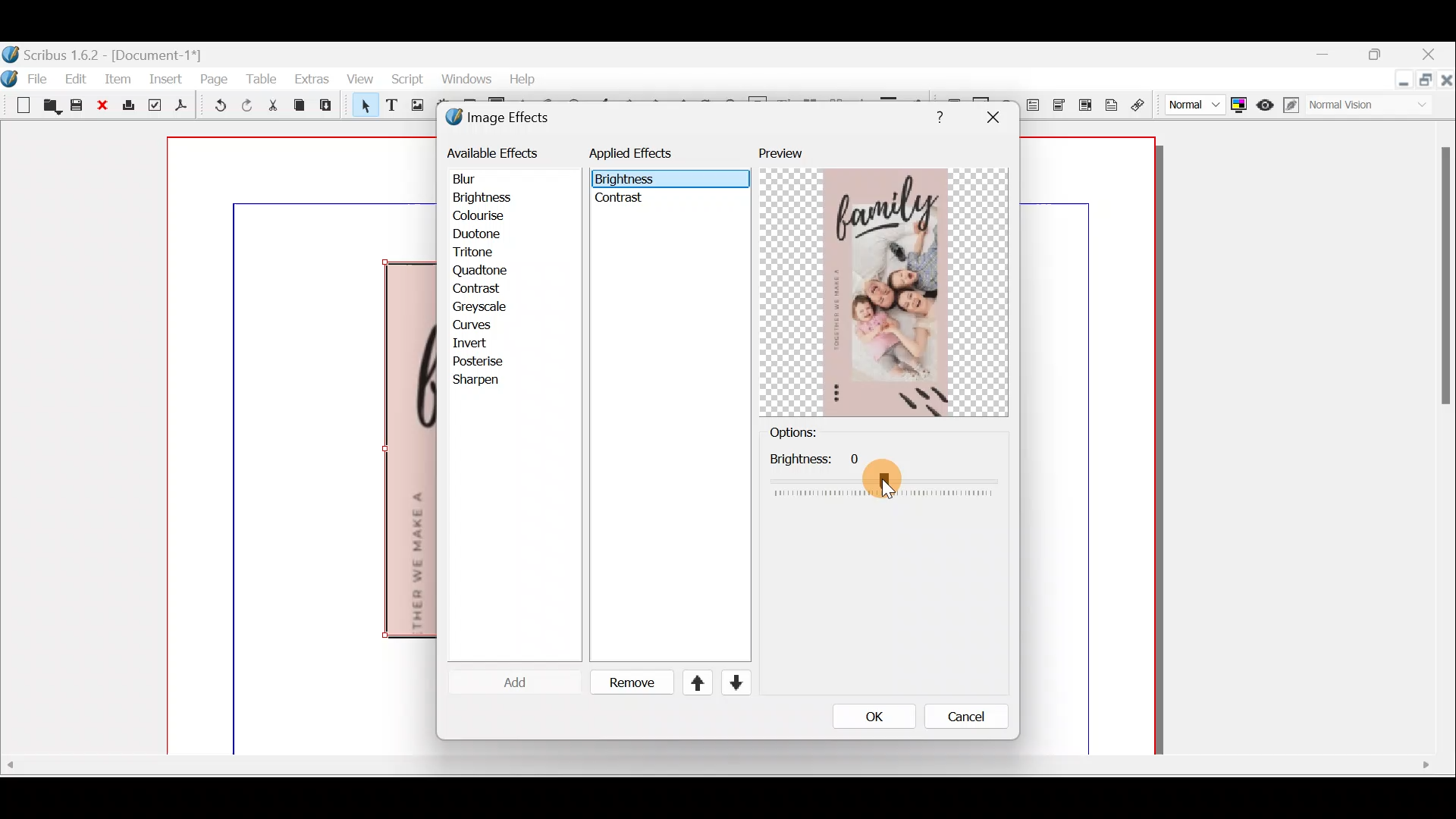 This screenshot has width=1456, height=819. I want to click on Cancel, so click(963, 717).